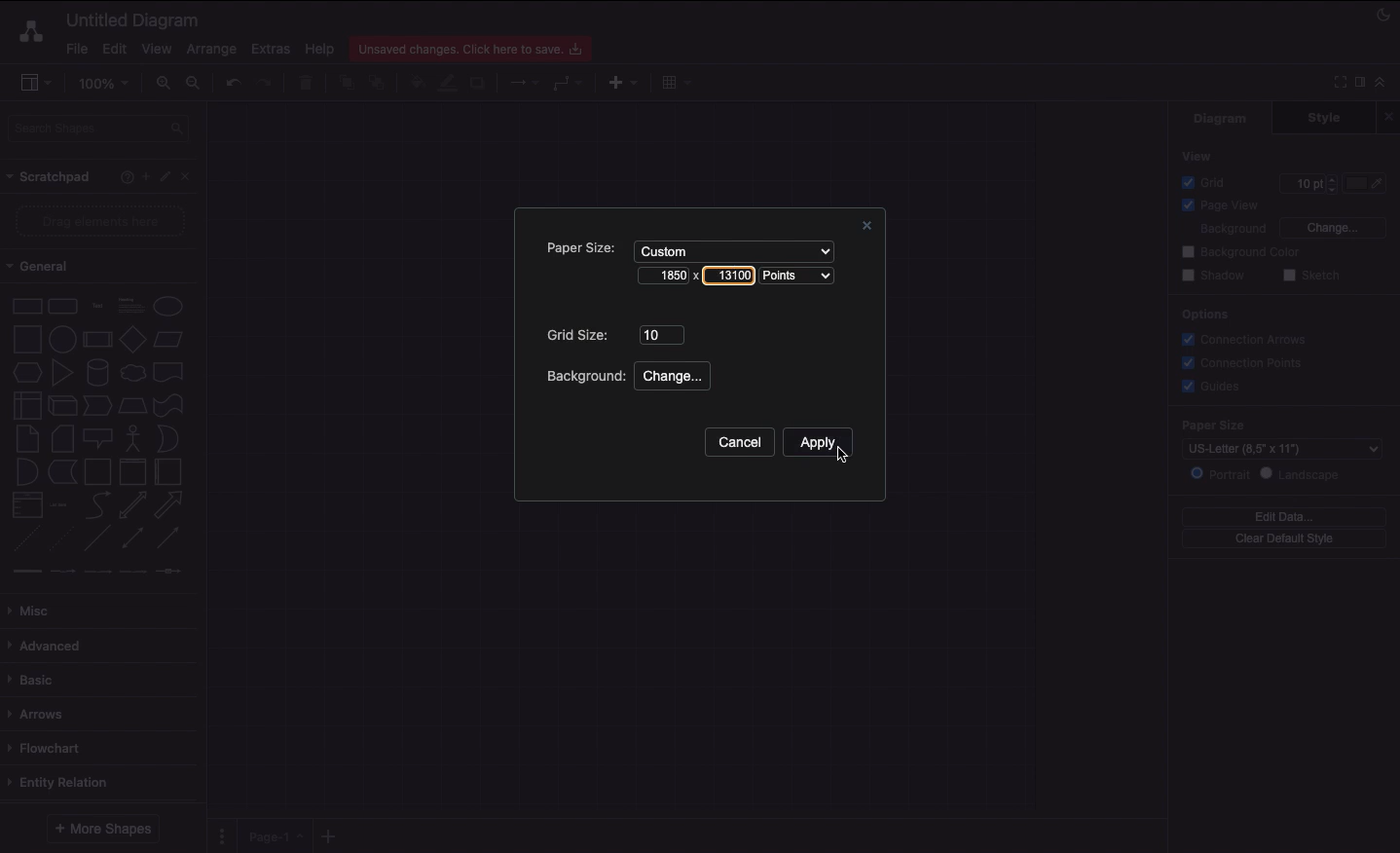  Describe the element at coordinates (97, 503) in the screenshot. I see `Curved arrow` at that location.